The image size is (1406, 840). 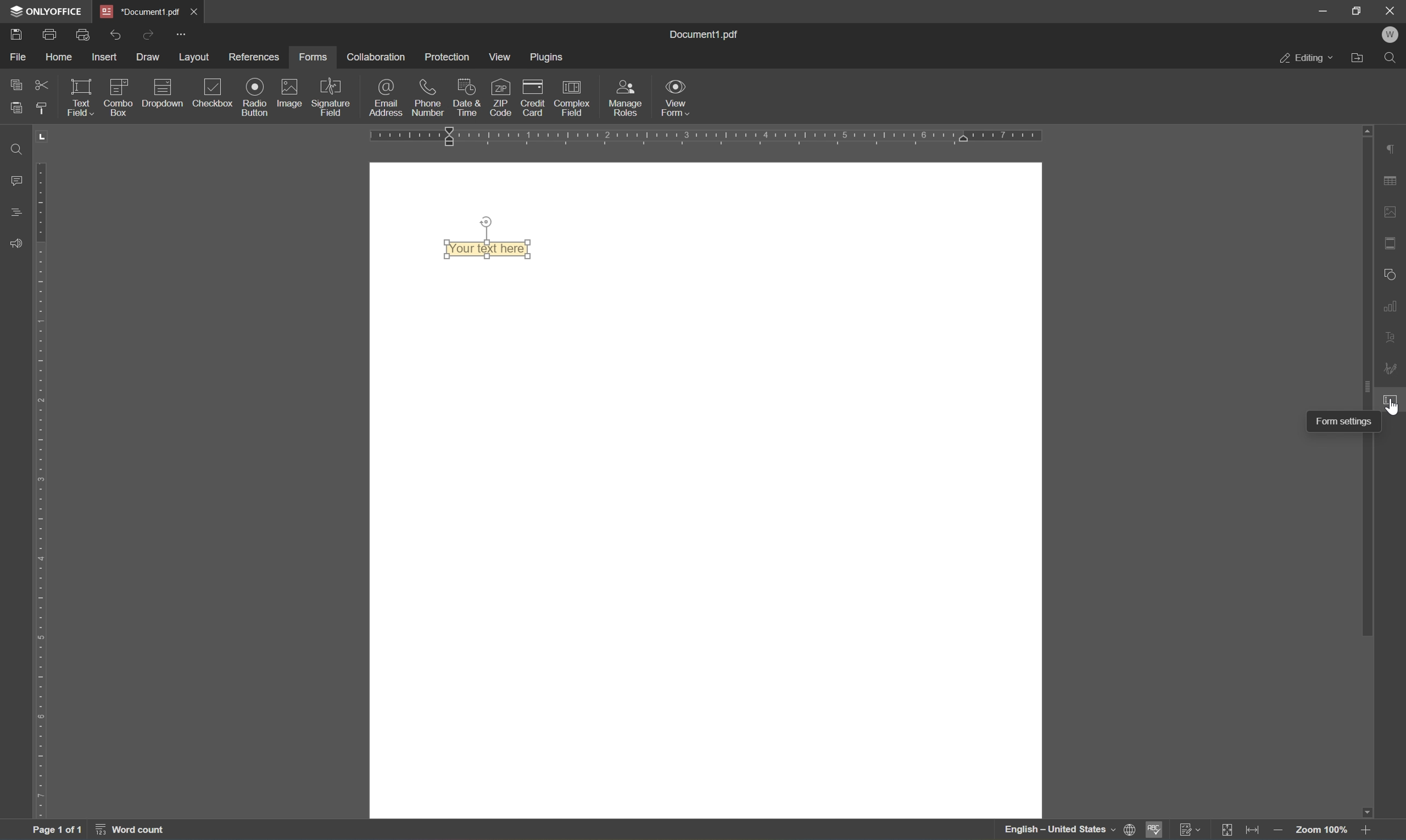 What do you see at coordinates (1391, 243) in the screenshot?
I see `header and footer settings` at bounding box center [1391, 243].